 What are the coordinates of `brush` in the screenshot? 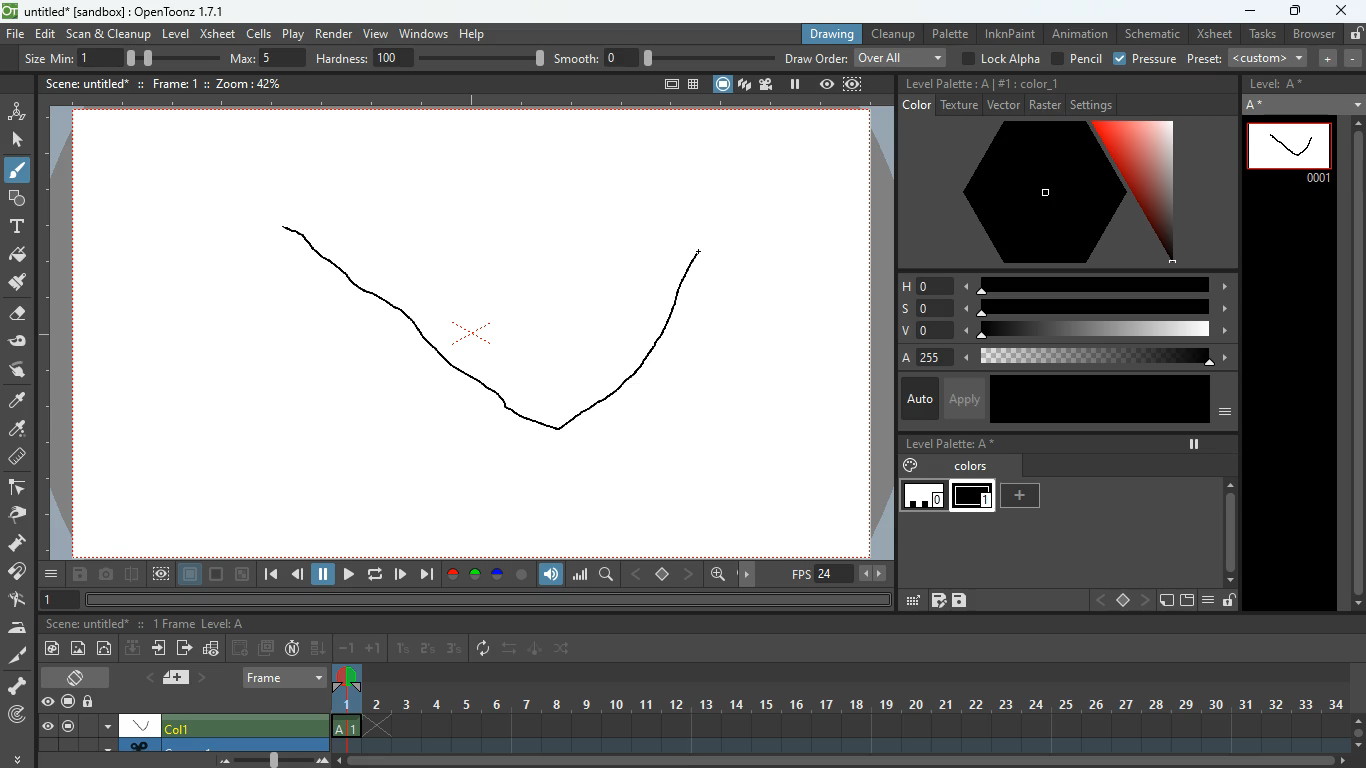 It's located at (19, 171).